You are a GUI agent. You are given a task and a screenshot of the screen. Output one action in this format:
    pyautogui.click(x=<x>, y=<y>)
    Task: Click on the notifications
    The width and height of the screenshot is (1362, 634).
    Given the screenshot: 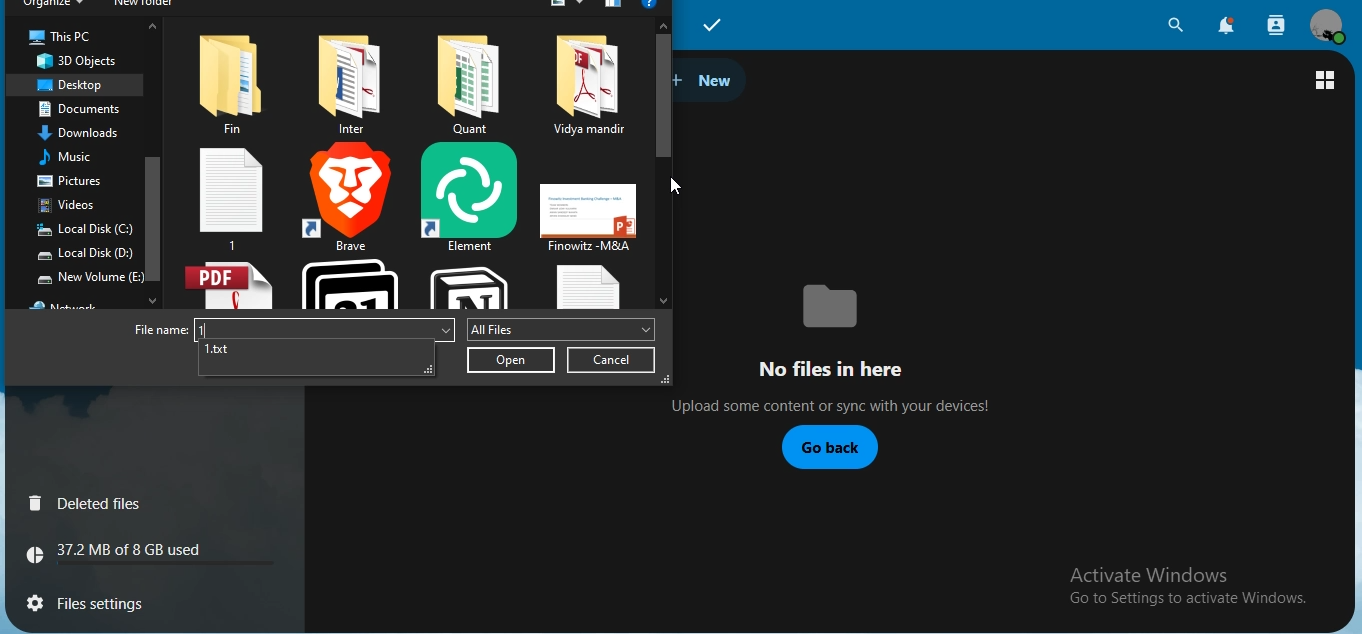 What is the action you would take?
    pyautogui.click(x=1228, y=27)
    